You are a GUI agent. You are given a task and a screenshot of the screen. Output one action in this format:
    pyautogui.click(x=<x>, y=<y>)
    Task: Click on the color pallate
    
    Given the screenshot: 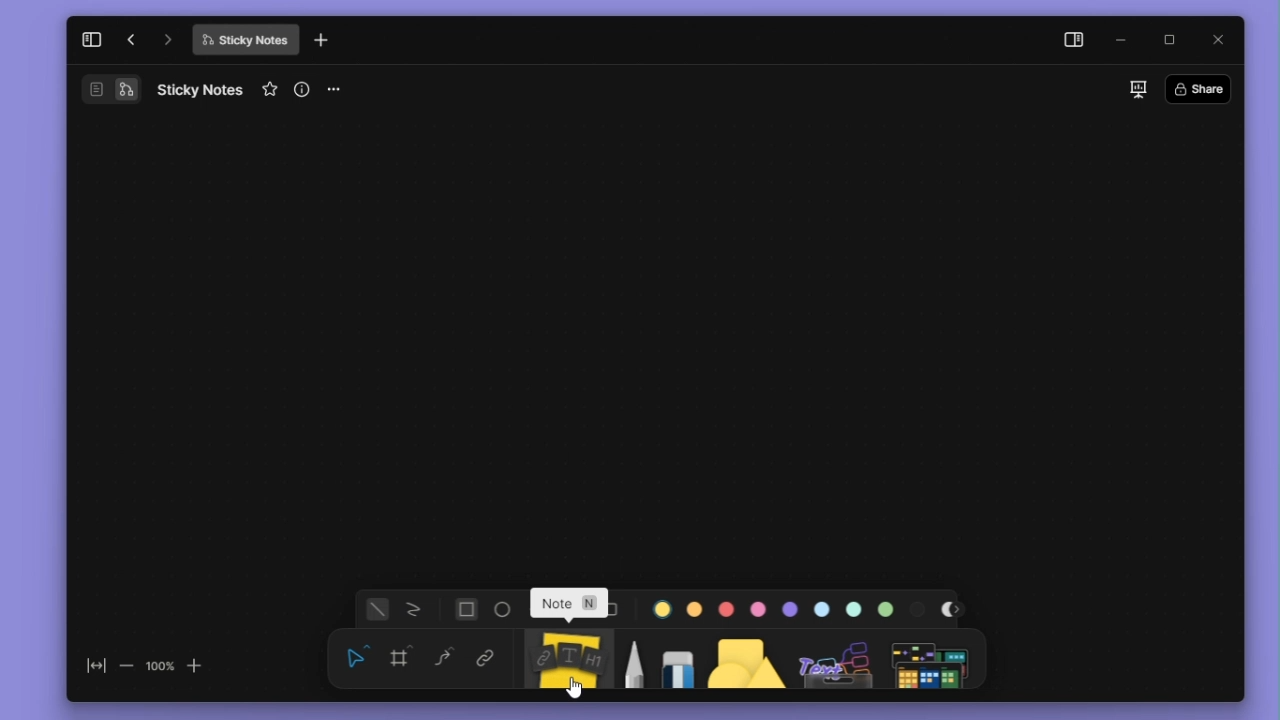 What is the action you would take?
    pyautogui.click(x=922, y=609)
    